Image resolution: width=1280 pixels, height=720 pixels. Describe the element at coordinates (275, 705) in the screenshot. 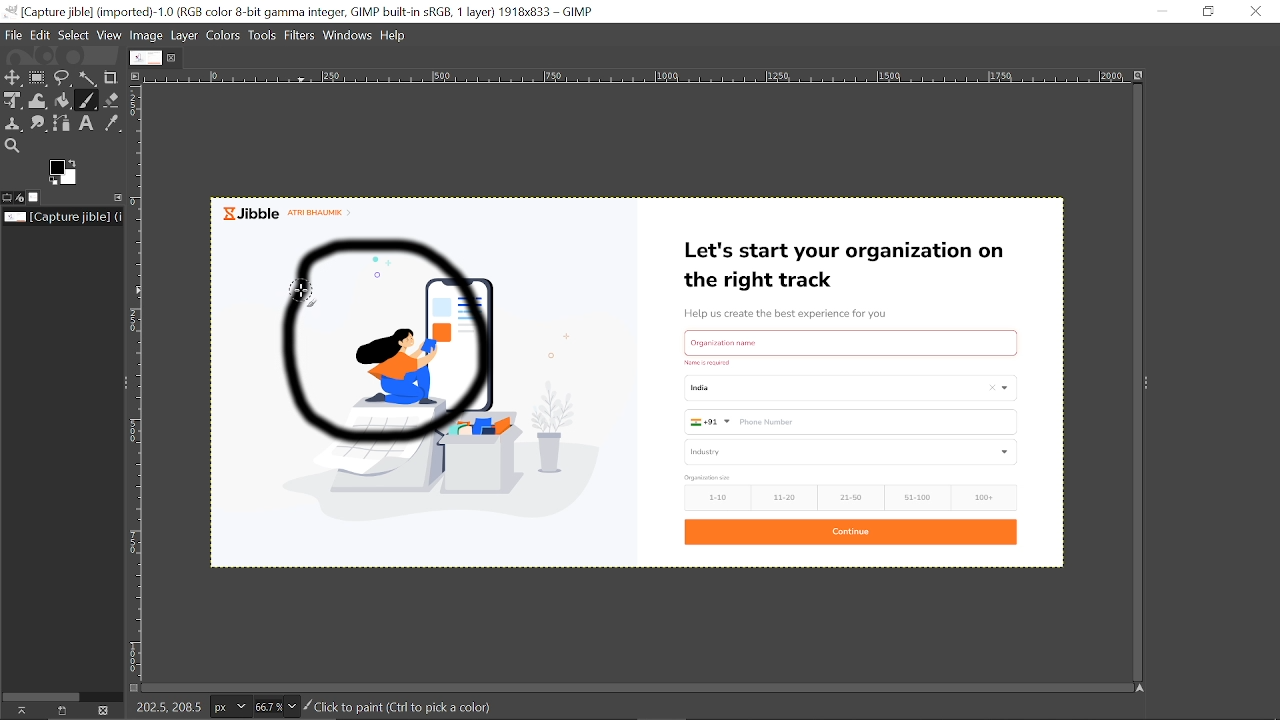

I see `Zoom` at that location.